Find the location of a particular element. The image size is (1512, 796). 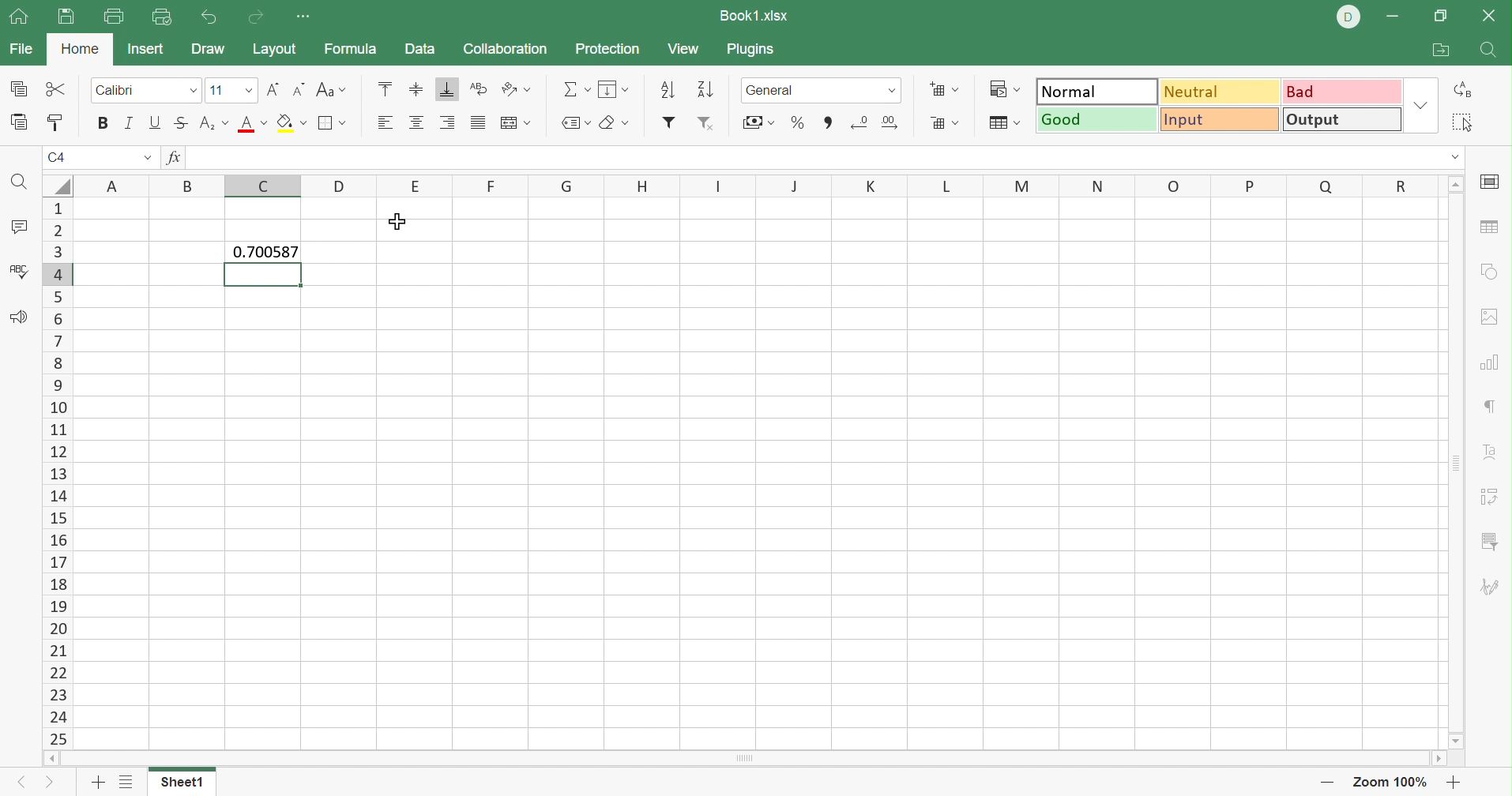

Scroll down is located at coordinates (1458, 742).